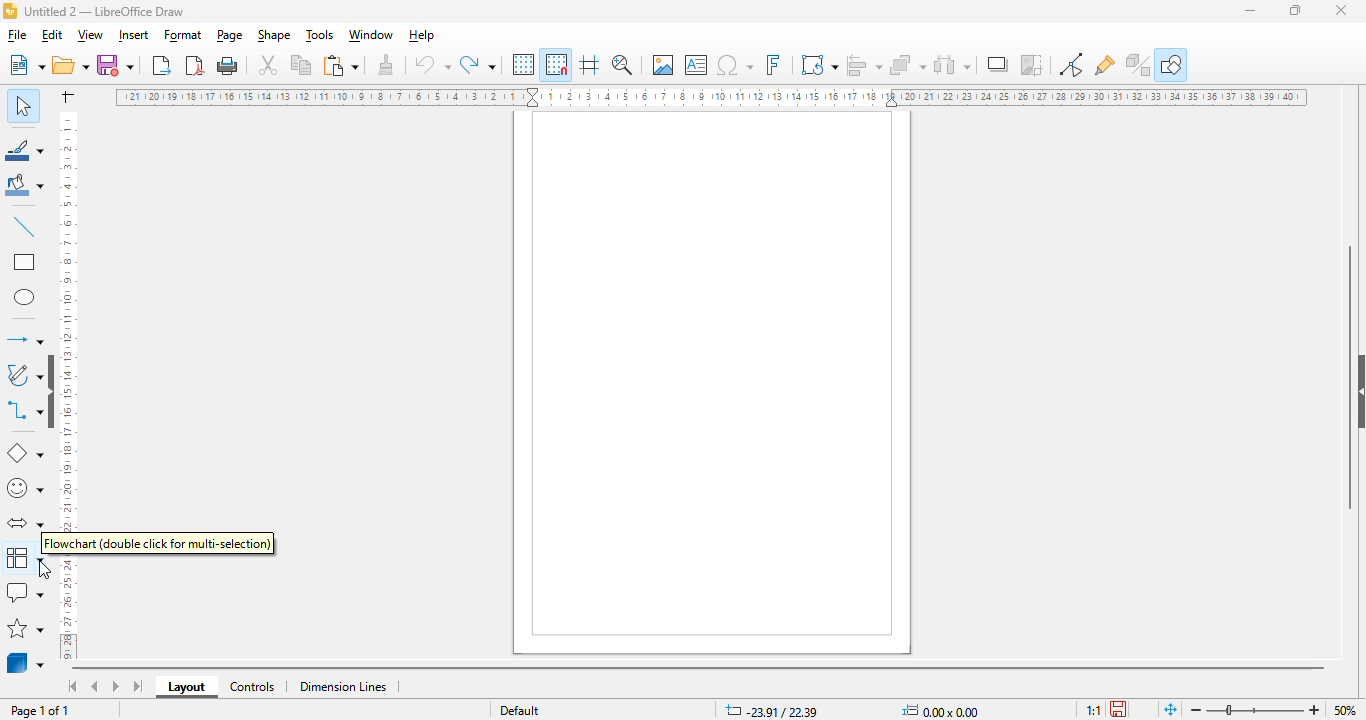  I want to click on insert text box, so click(696, 65).